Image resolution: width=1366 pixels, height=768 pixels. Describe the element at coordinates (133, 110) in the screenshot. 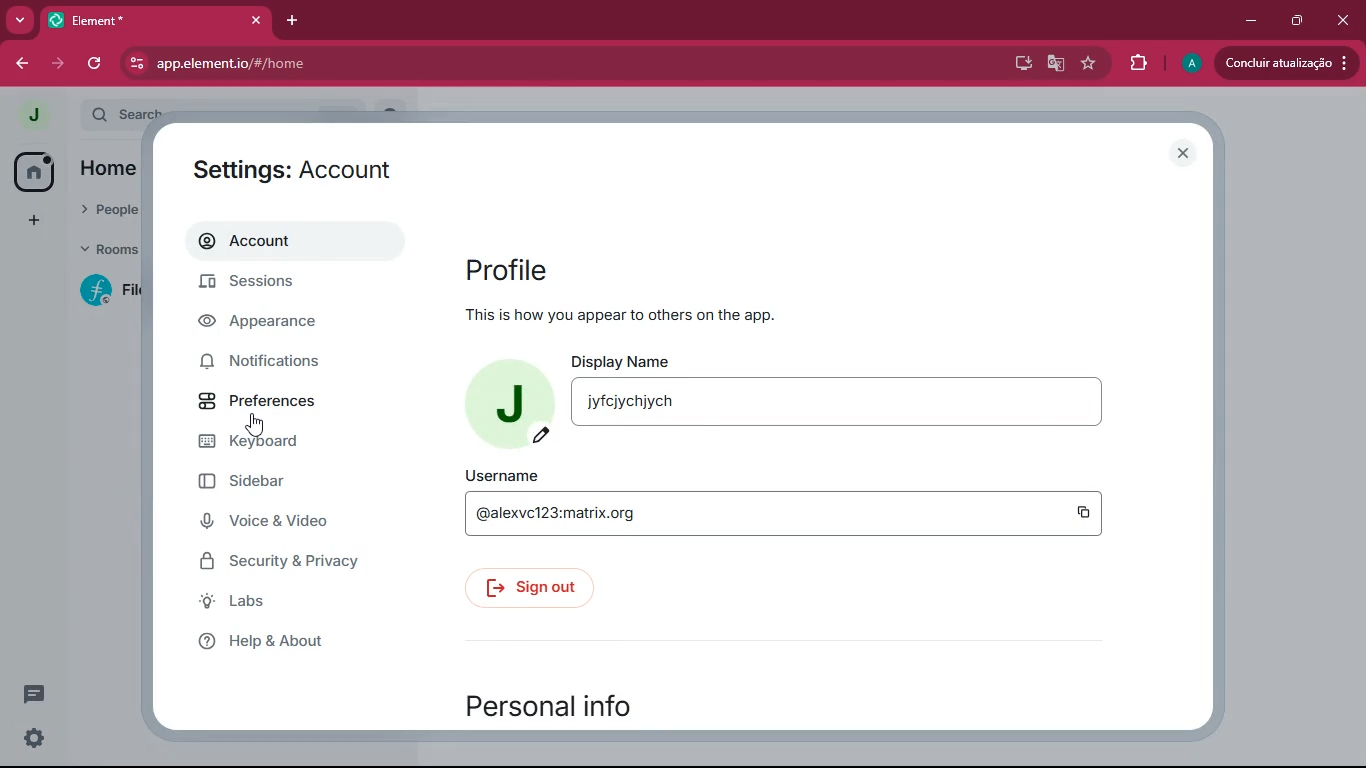

I see `search` at that location.